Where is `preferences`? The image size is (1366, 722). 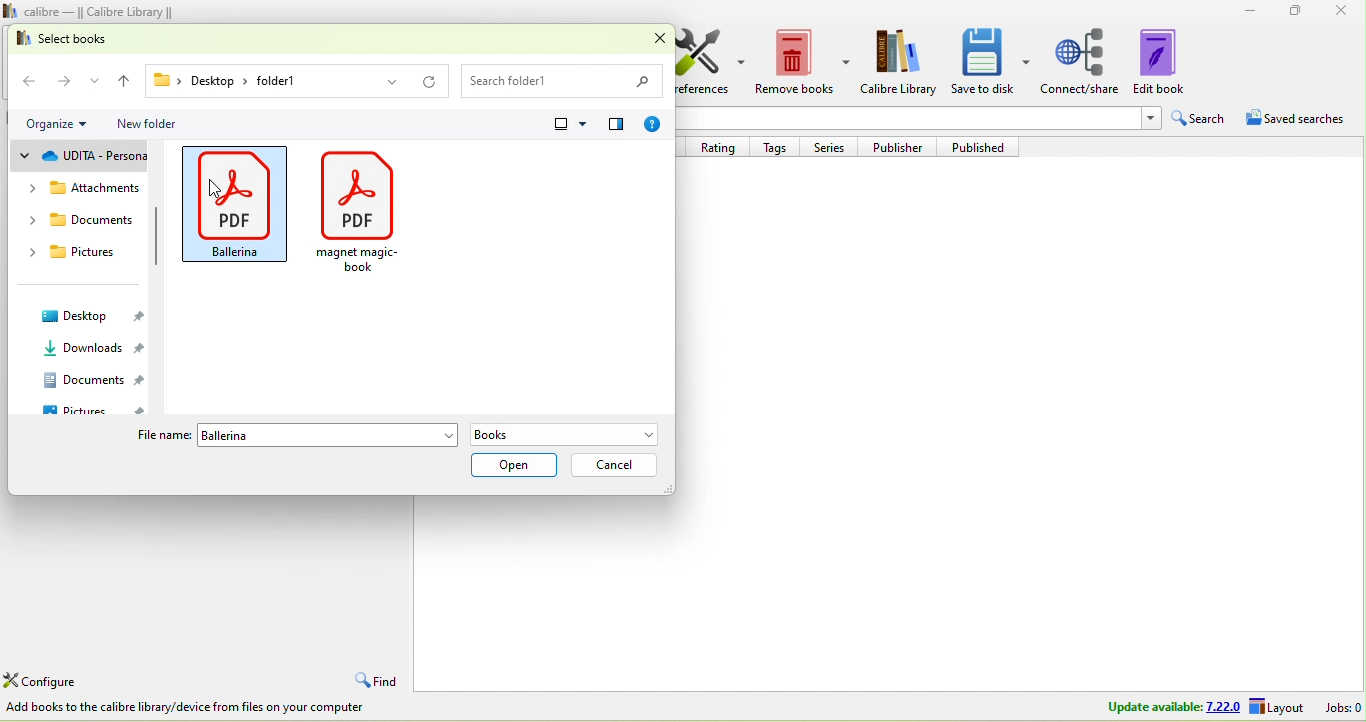 preferences is located at coordinates (710, 68).